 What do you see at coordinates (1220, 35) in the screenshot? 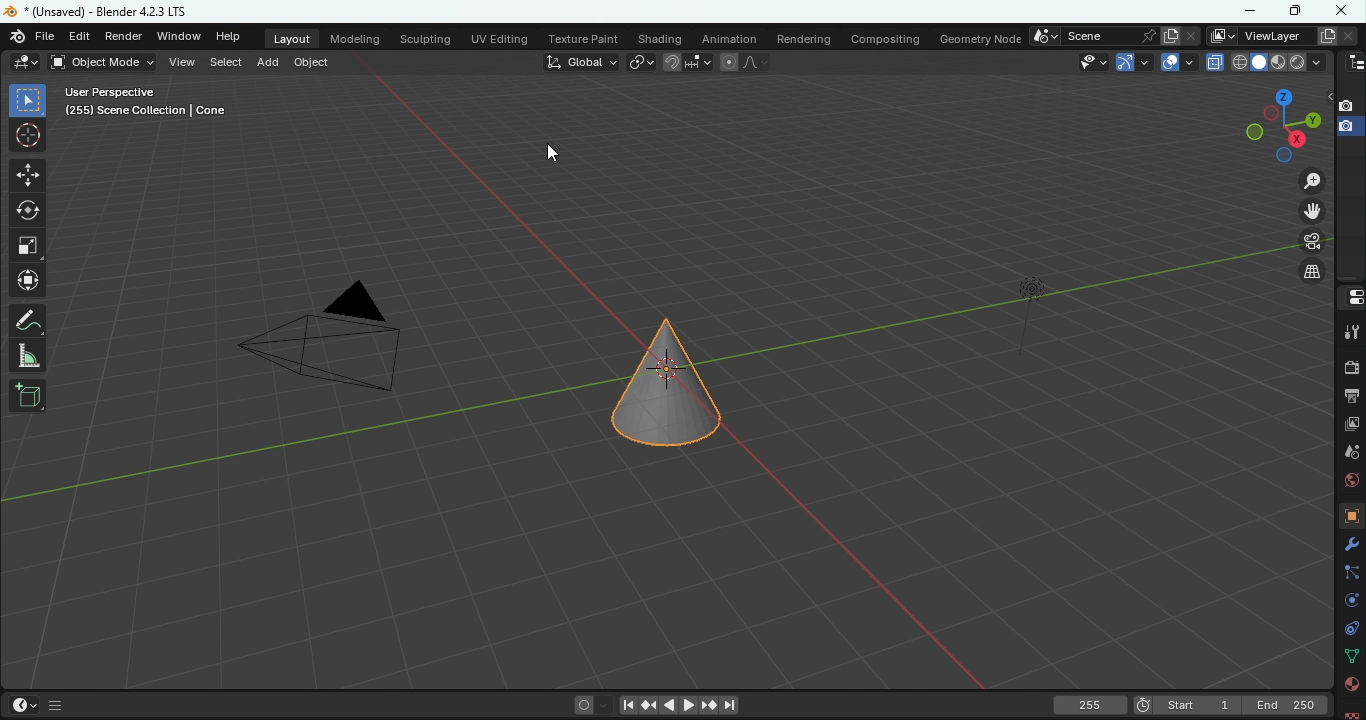
I see `The active workspace view layer showing in the window` at bounding box center [1220, 35].